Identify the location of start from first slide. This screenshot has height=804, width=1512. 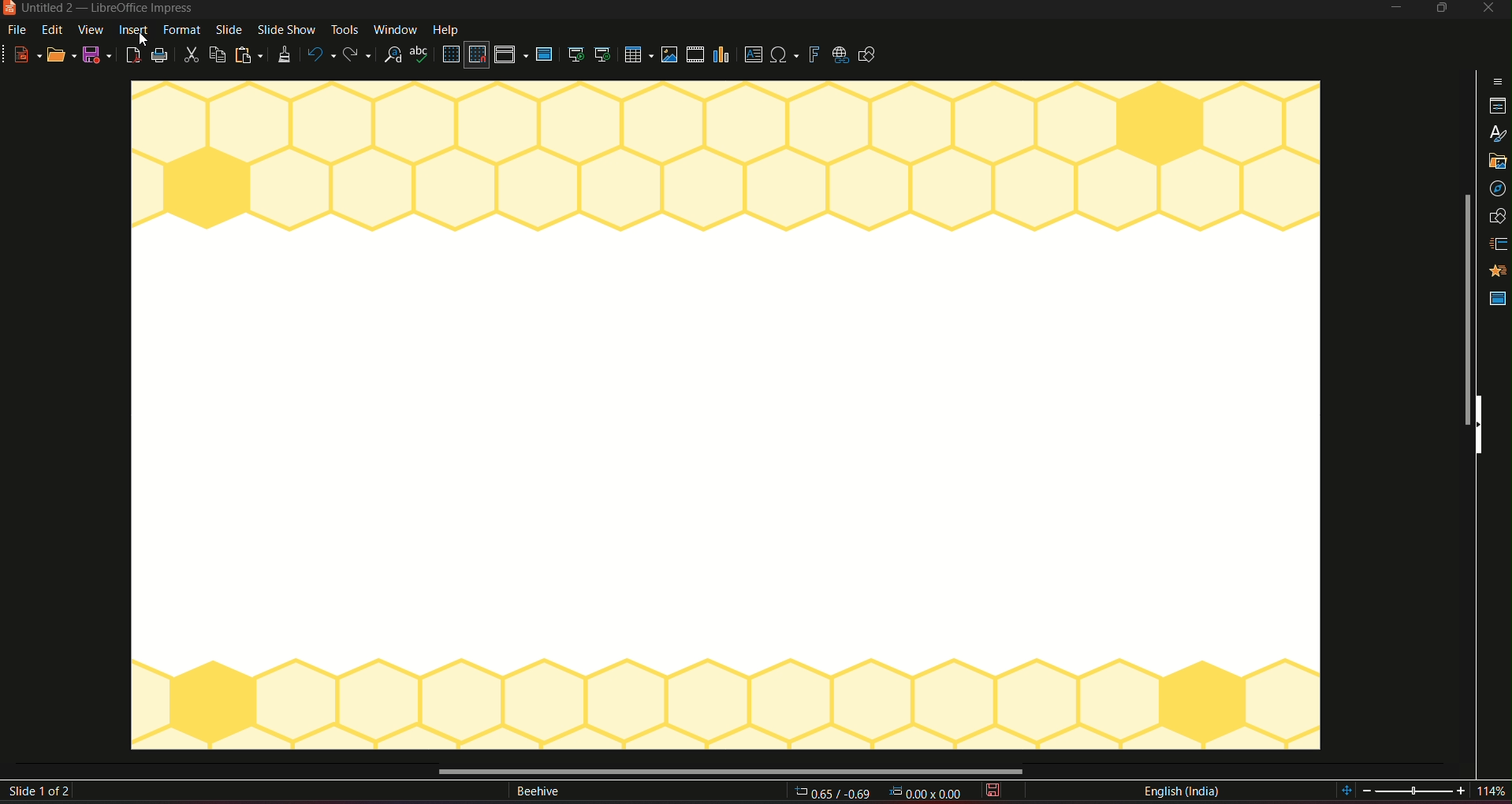
(575, 54).